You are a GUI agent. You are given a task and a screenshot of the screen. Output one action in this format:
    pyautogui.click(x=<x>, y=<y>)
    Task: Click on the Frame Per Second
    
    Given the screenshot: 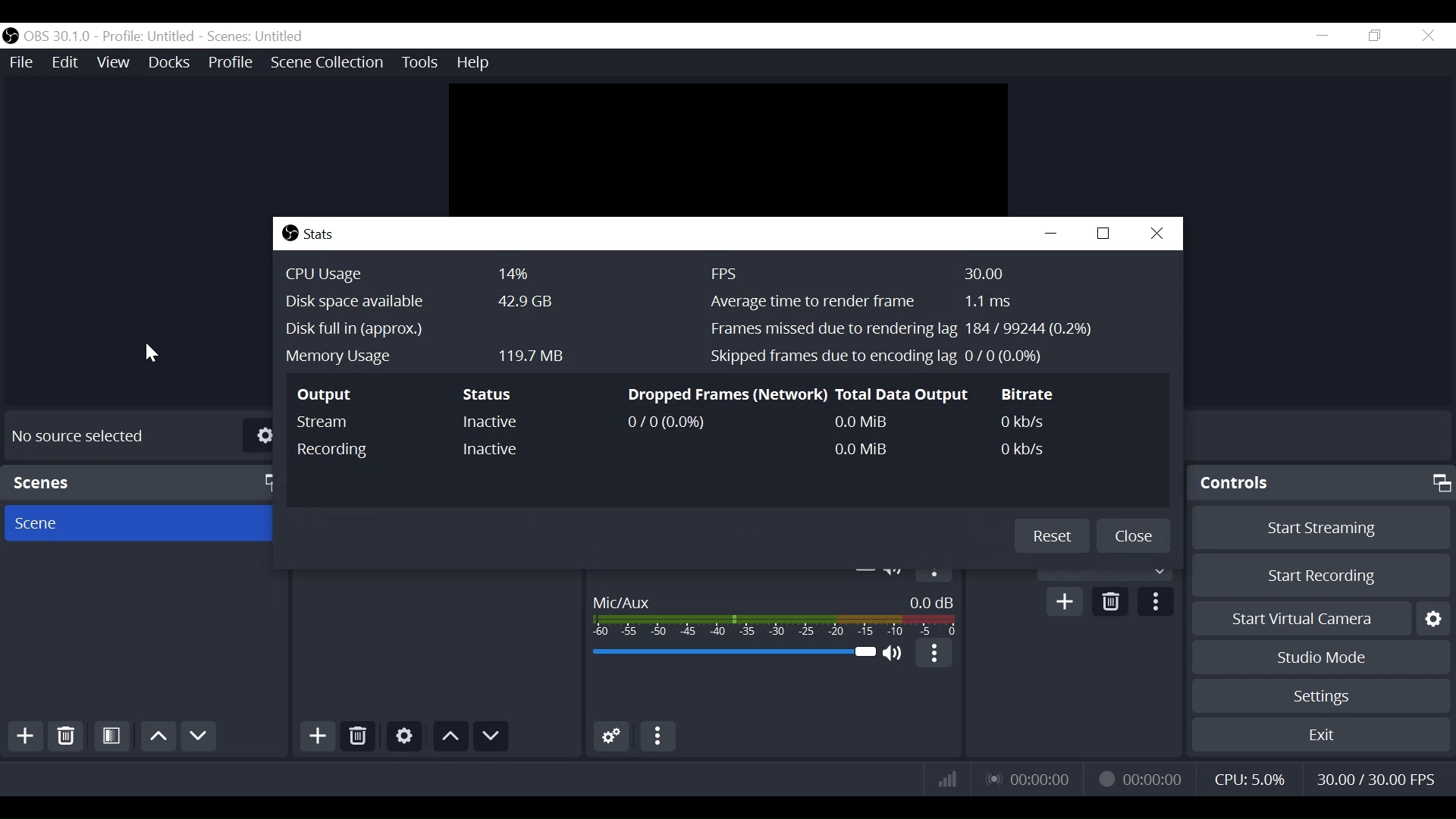 What is the action you would take?
    pyautogui.click(x=911, y=273)
    